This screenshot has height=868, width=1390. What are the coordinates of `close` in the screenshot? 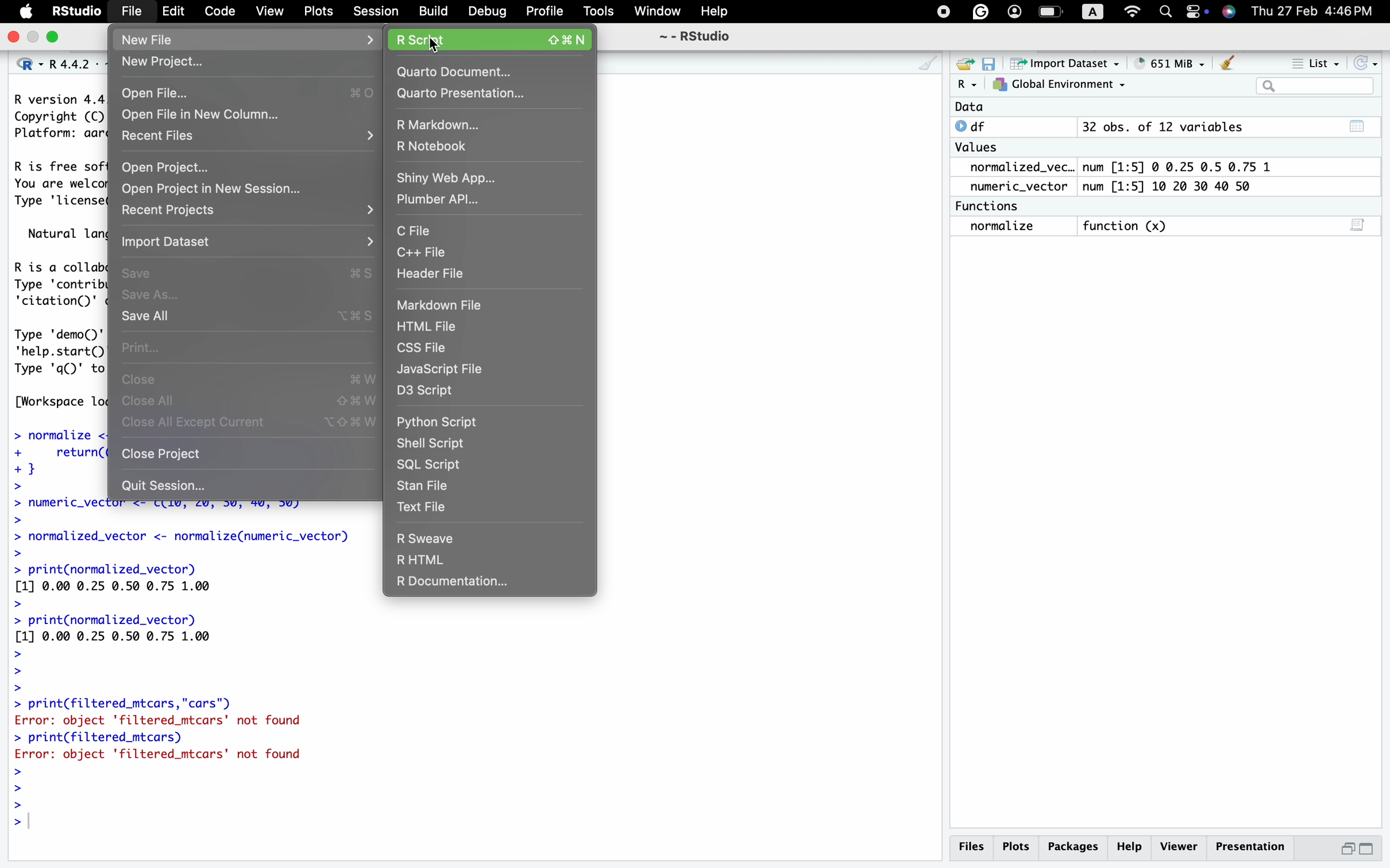 It's located at (14, 36).